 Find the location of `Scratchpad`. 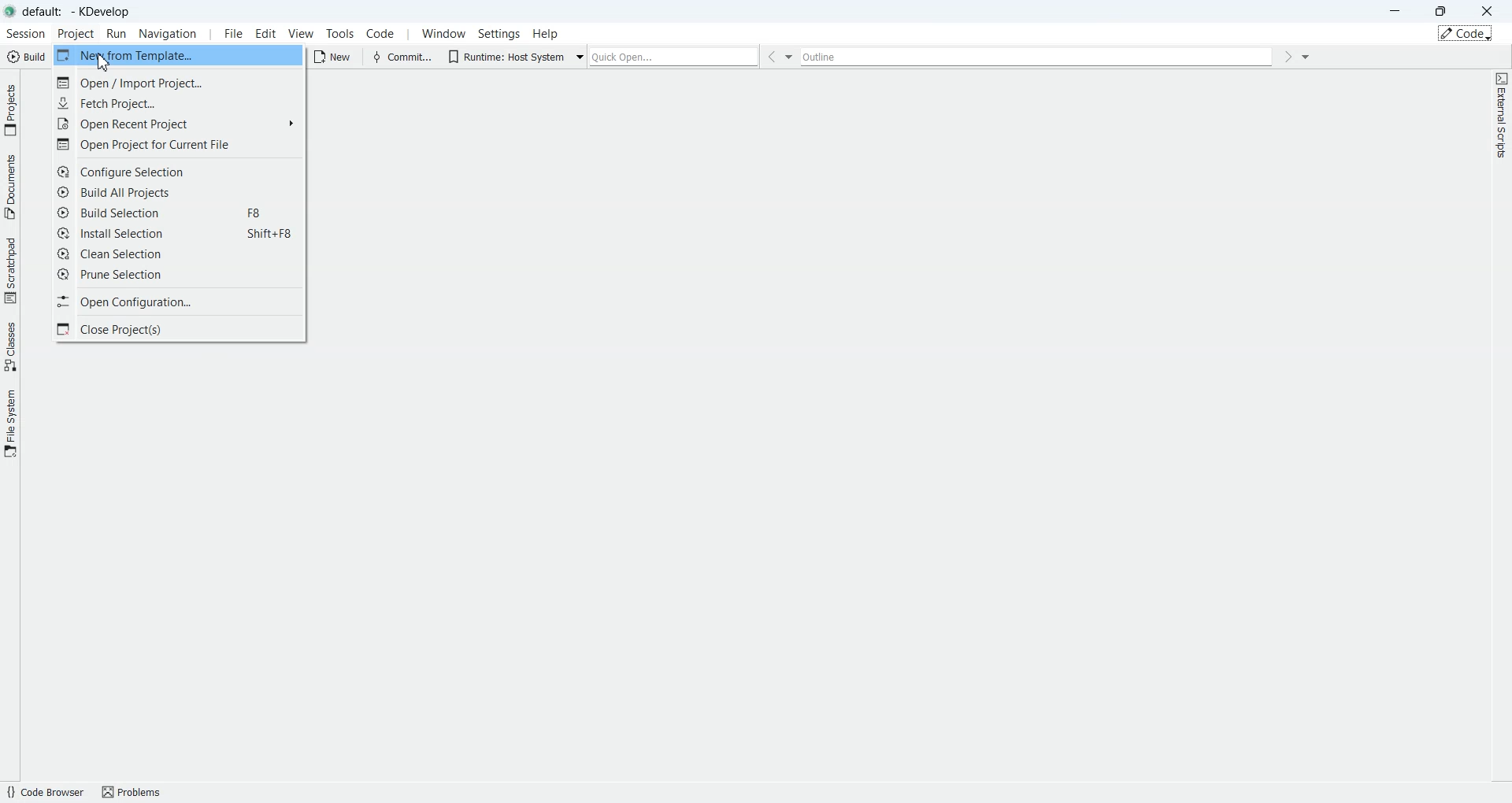

Scratchpad is located at coordinates (10, 269).